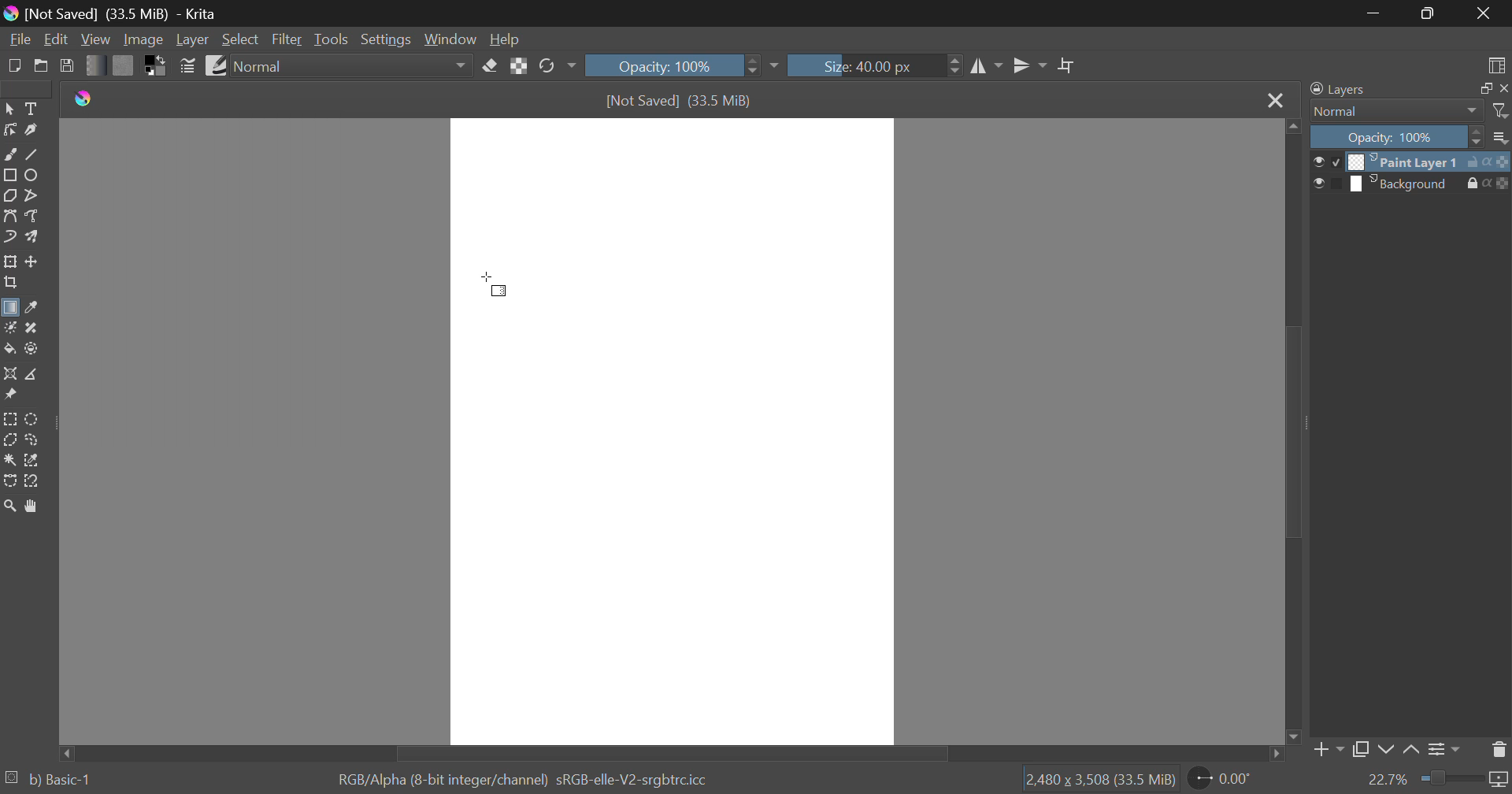 The width and height of the screenshot is (1512, 794). What do you see at coordinates (1476, 184) in the screenshot?
I see `lock` at bounding box center [1476, 184].